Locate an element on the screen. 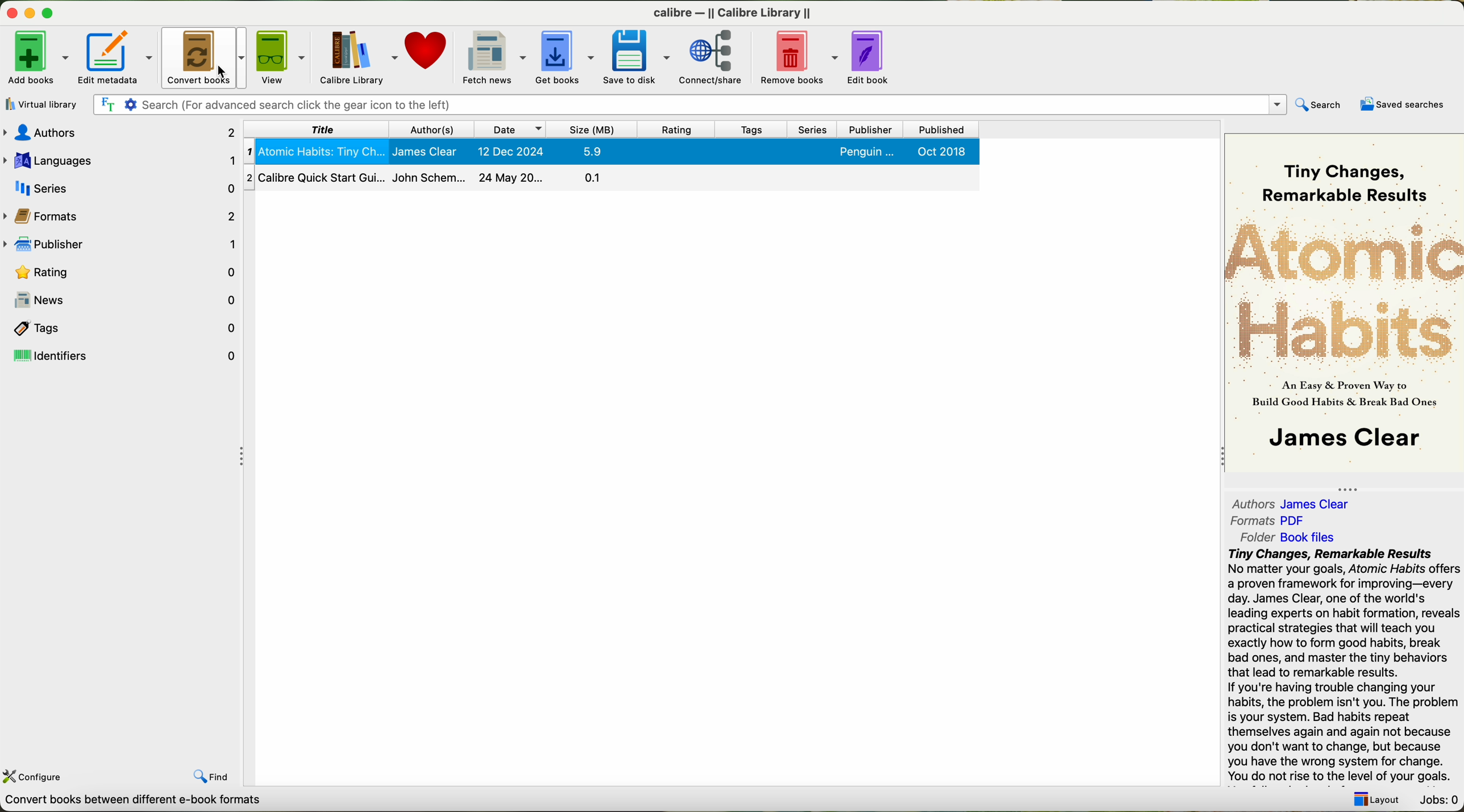 The height and width of the screenshot is (812, 1464). rating is located at coordinates (121, 270).